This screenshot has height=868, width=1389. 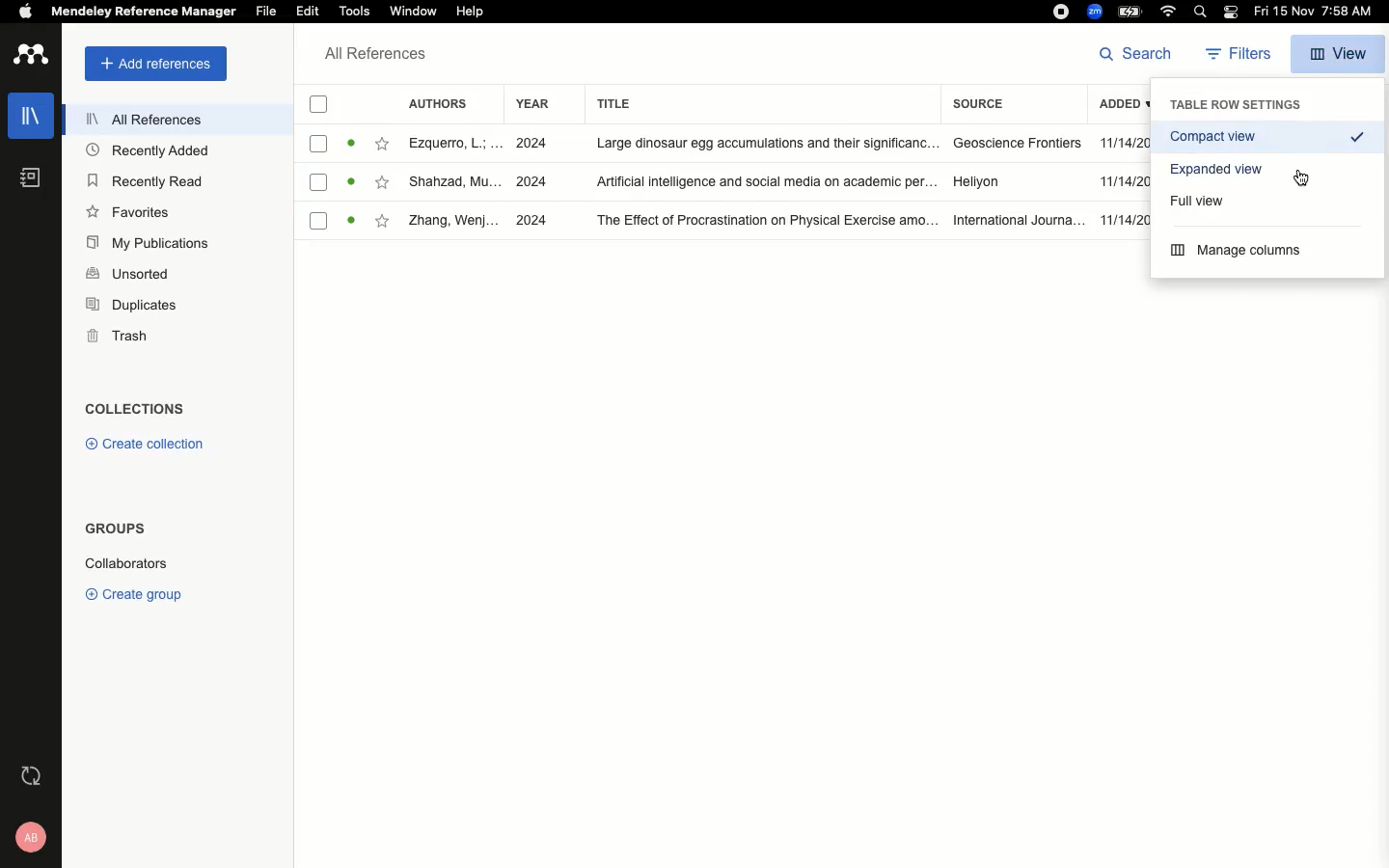 I want to click on Filters, so click(x=1233, y=55).